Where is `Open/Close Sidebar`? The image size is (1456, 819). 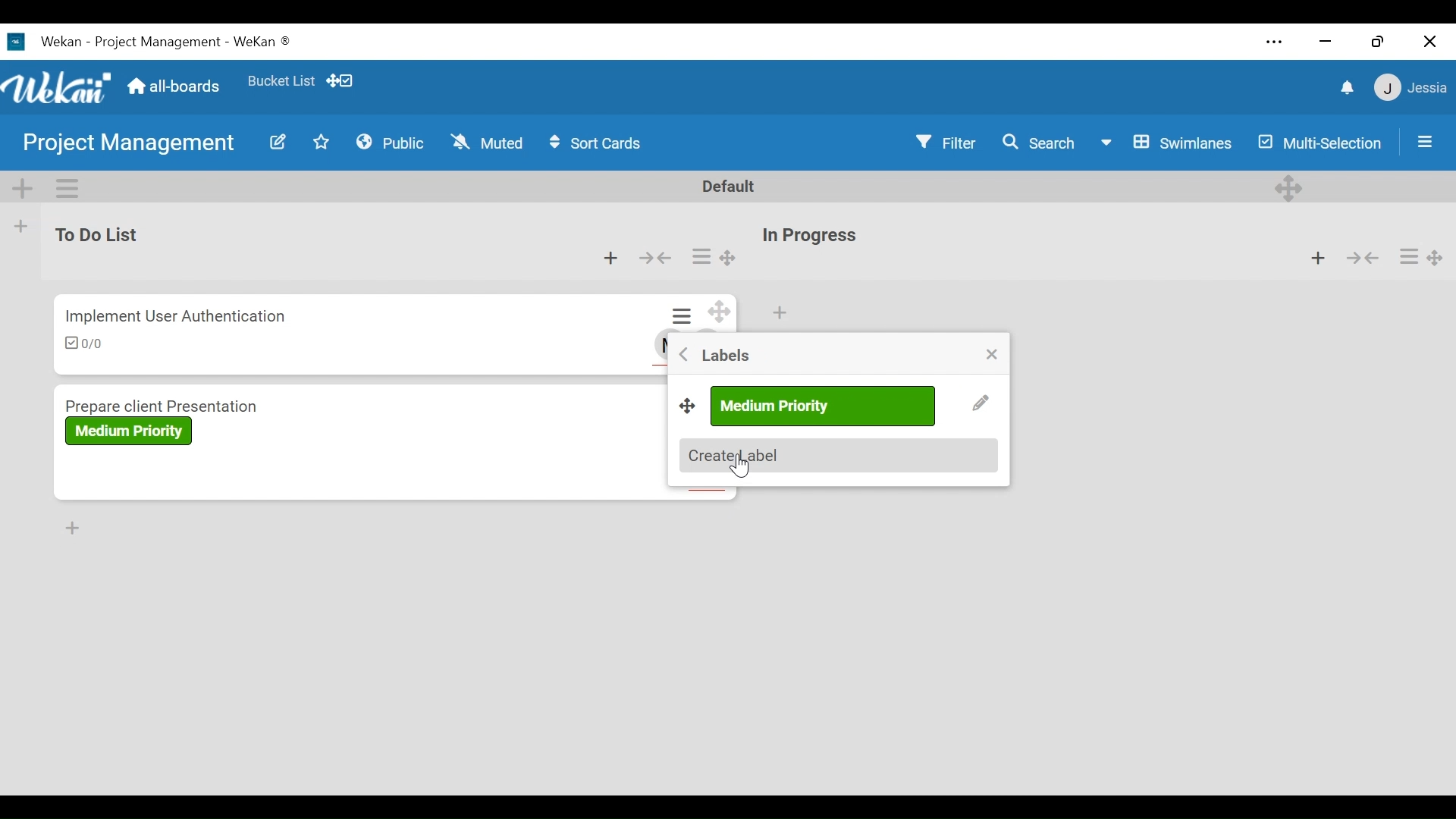
Open/Close Sidebar is located at coordinates (1423, 140).